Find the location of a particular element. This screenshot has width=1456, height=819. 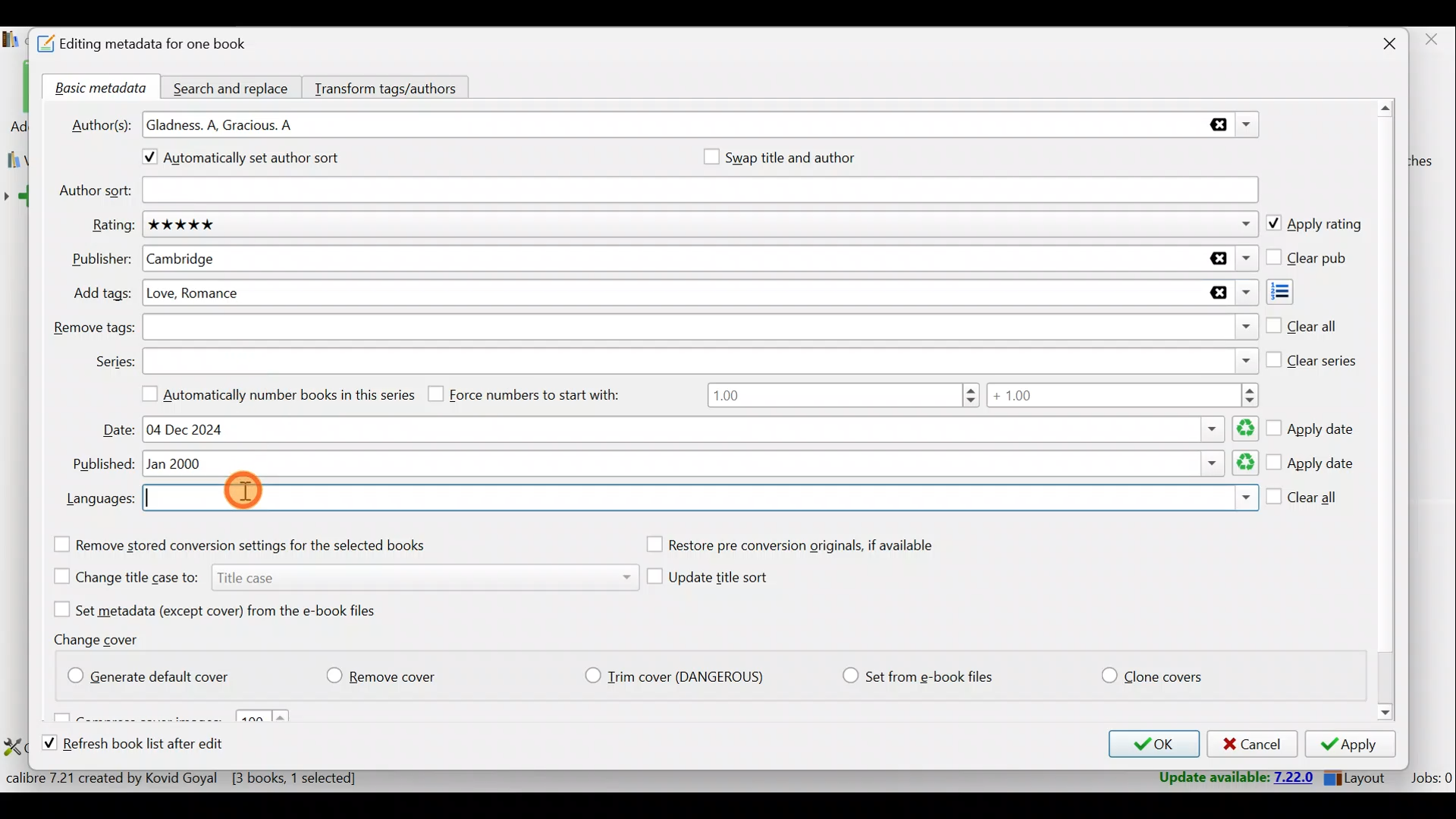

Published: is located at coordinates (100, 465).